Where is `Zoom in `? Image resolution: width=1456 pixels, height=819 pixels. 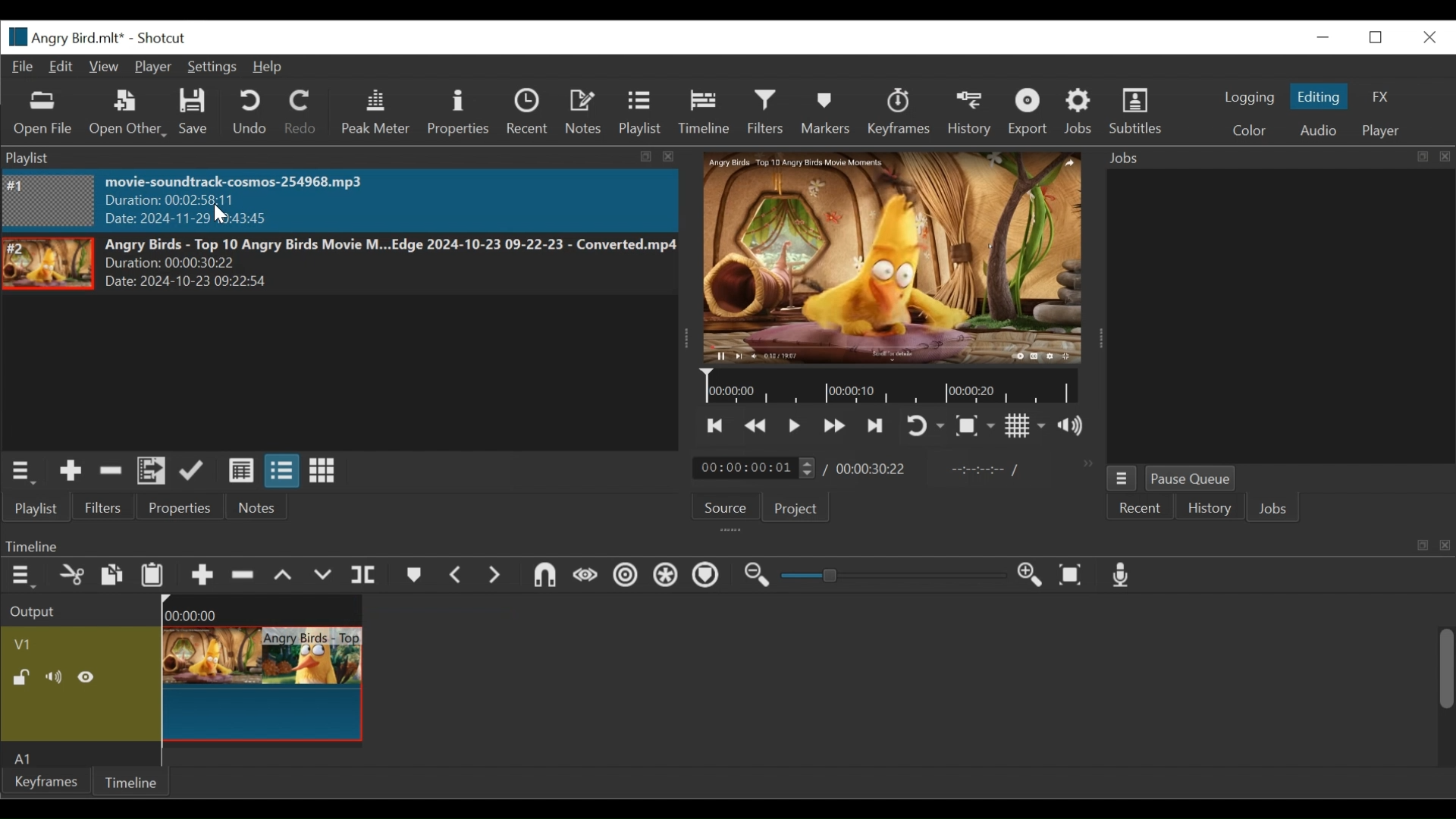 Zoom in  is located at coordinates (1035, 576).